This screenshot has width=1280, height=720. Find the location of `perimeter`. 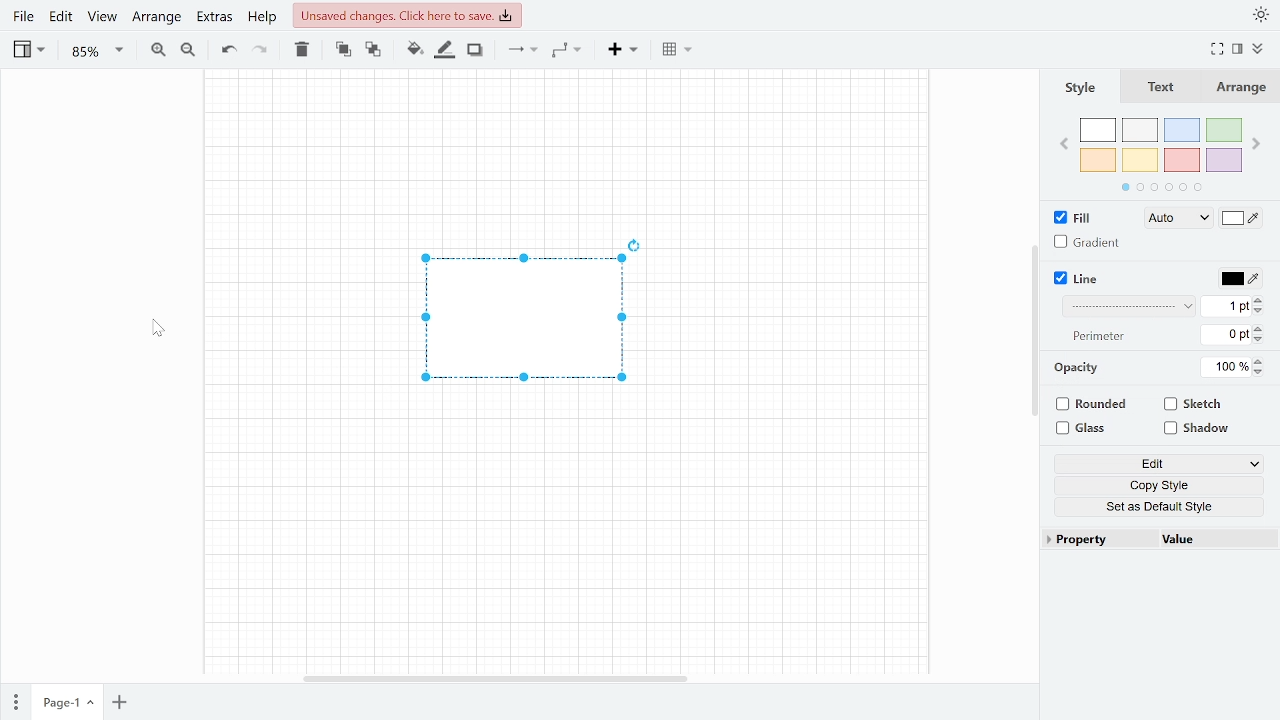

perimeter is located at coordinates (1099, 336).